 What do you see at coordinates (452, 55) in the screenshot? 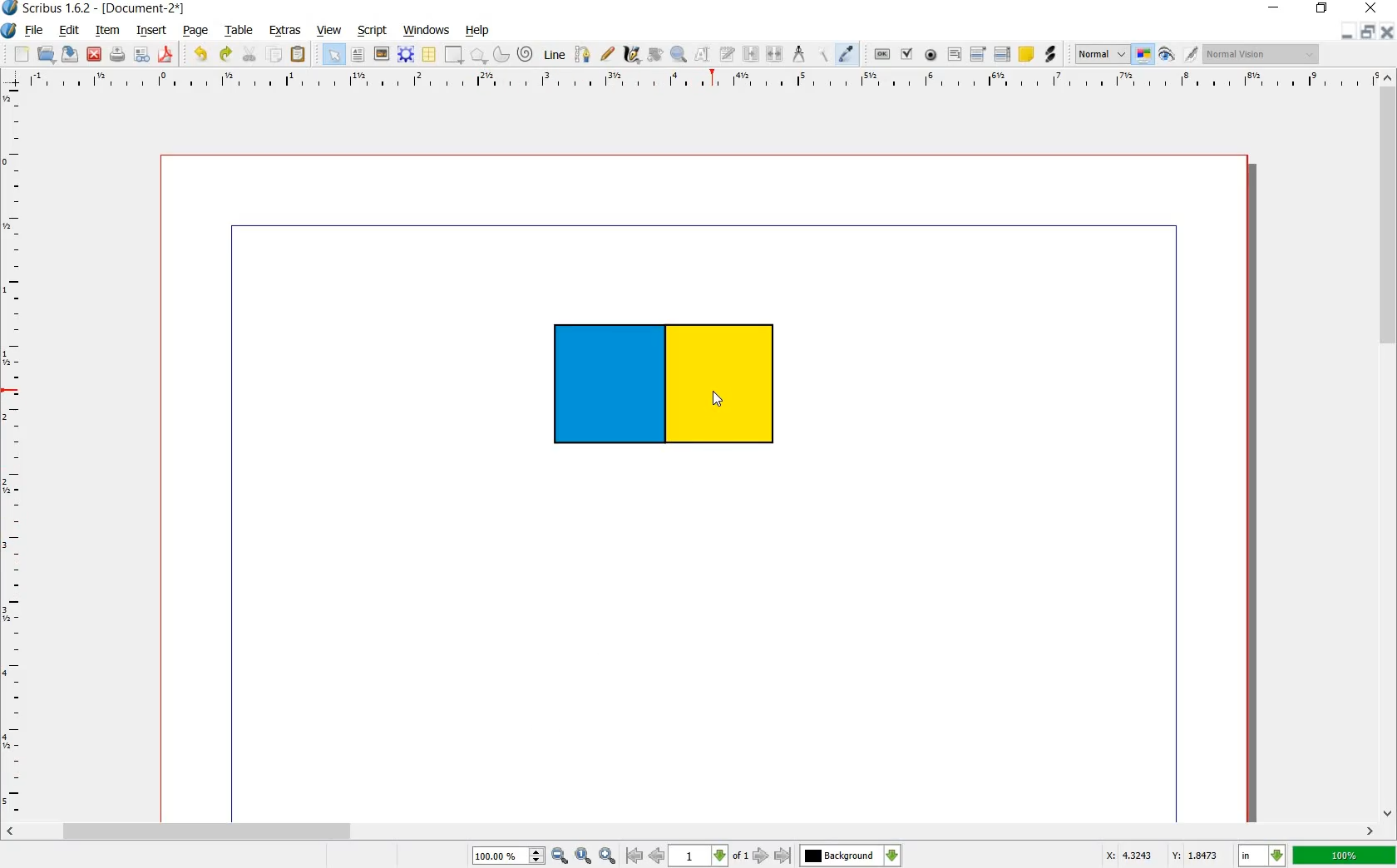
I see `shape` at bounding box center [452, 55].